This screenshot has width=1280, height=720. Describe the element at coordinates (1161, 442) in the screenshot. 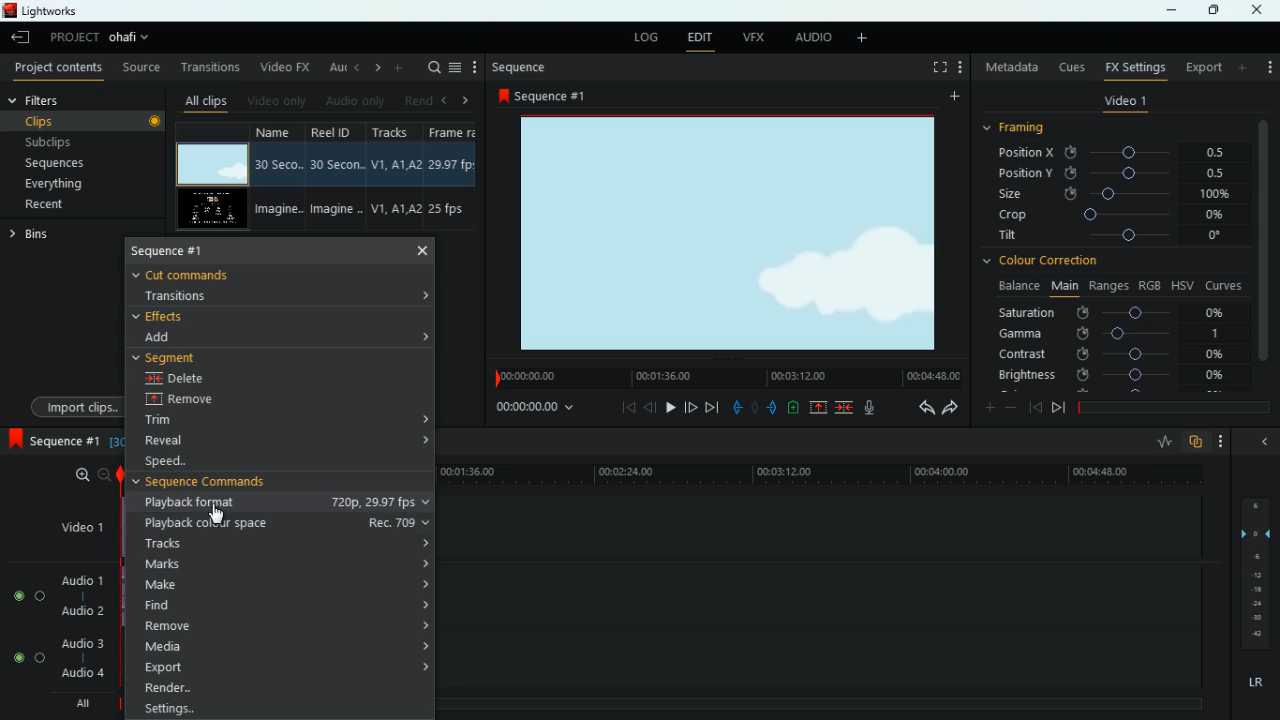

I see `rate` at that location.